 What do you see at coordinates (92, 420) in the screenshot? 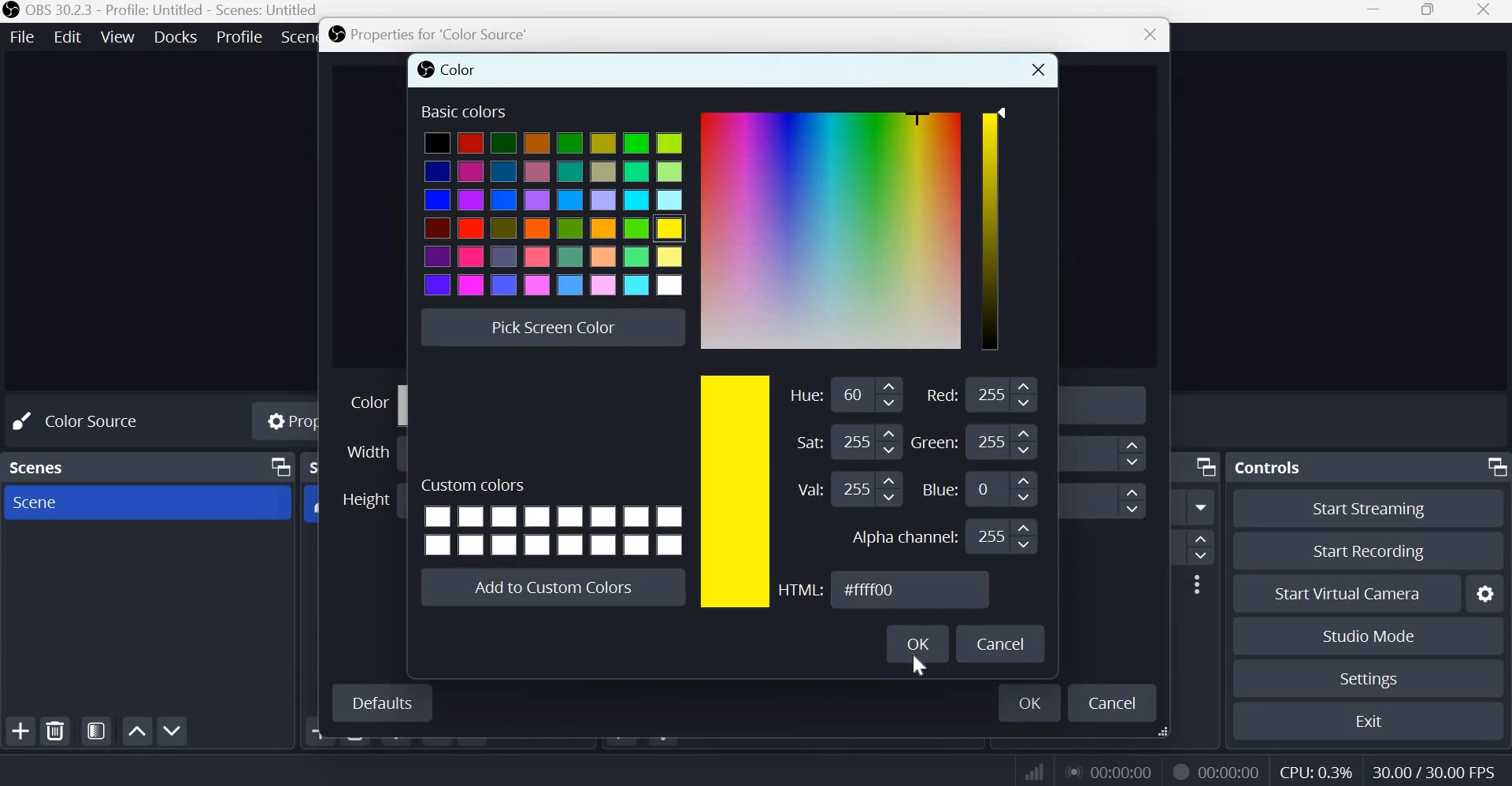
I see `No source selected` at bounding box center [92, 420].